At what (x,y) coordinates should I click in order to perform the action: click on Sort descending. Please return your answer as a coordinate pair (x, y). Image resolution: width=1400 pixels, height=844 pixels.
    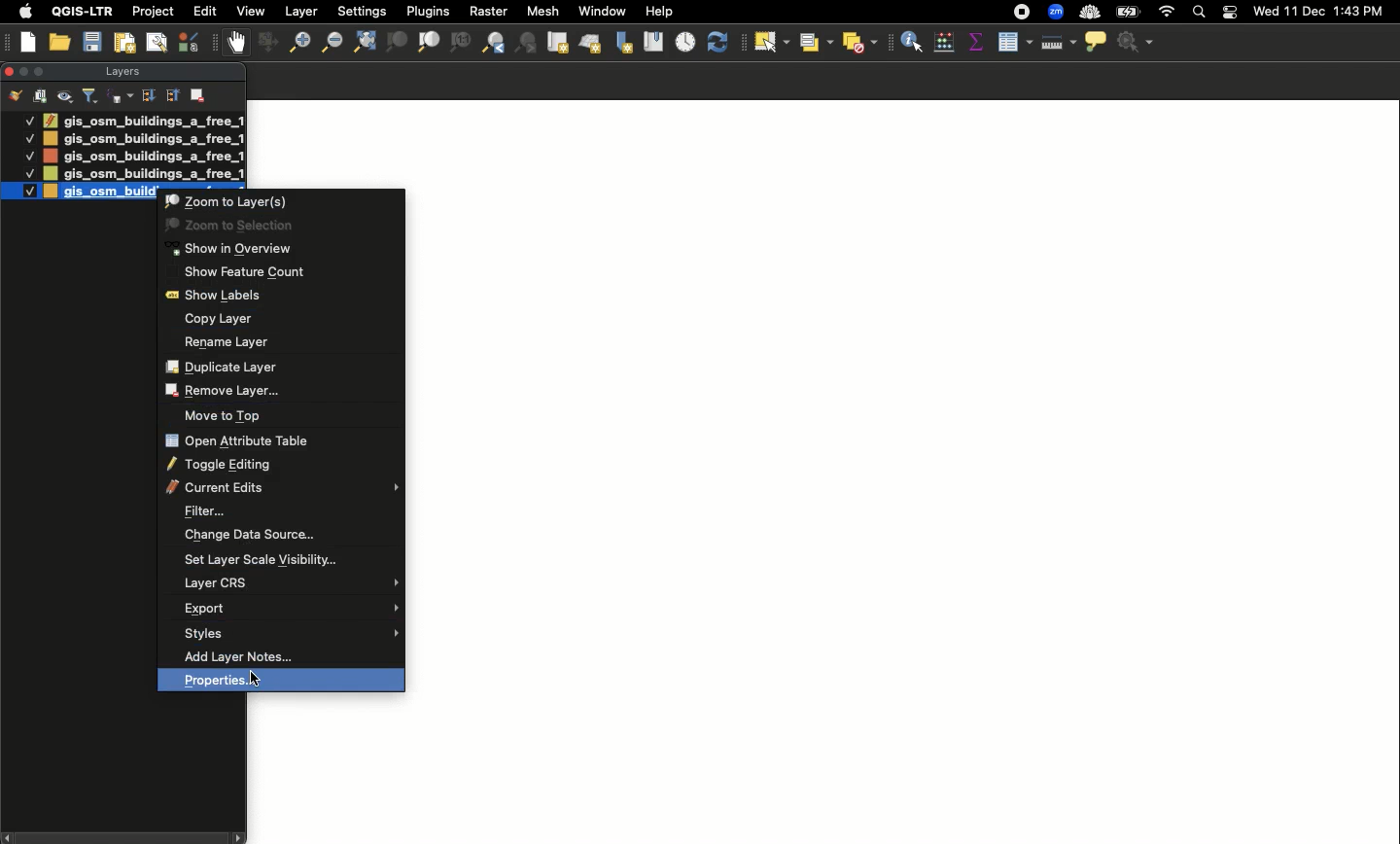
    Looking at the image, I should click on (148, 96).